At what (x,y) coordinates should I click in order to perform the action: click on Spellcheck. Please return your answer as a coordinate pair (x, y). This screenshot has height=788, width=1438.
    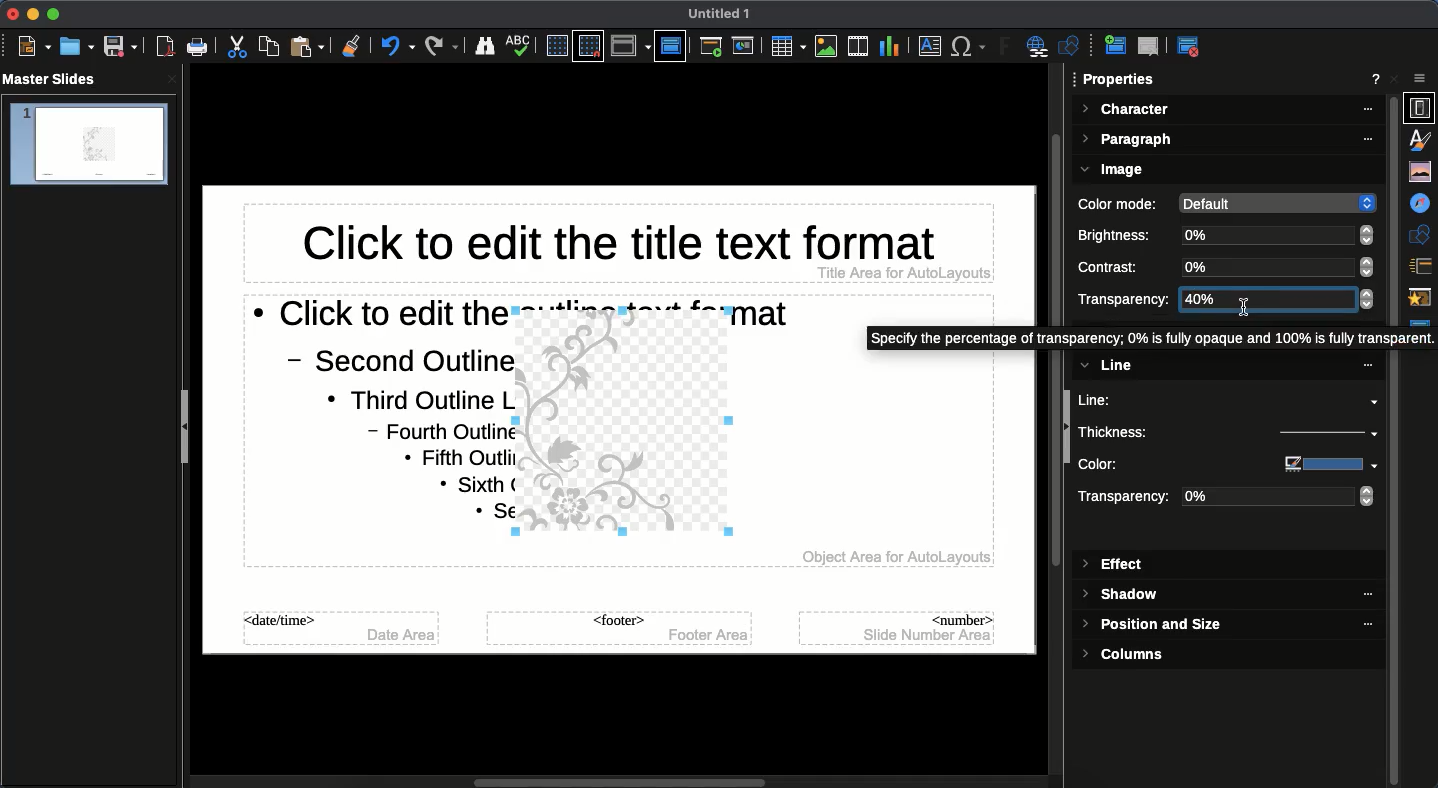
    Looking at the image, I should click on (519, 44).